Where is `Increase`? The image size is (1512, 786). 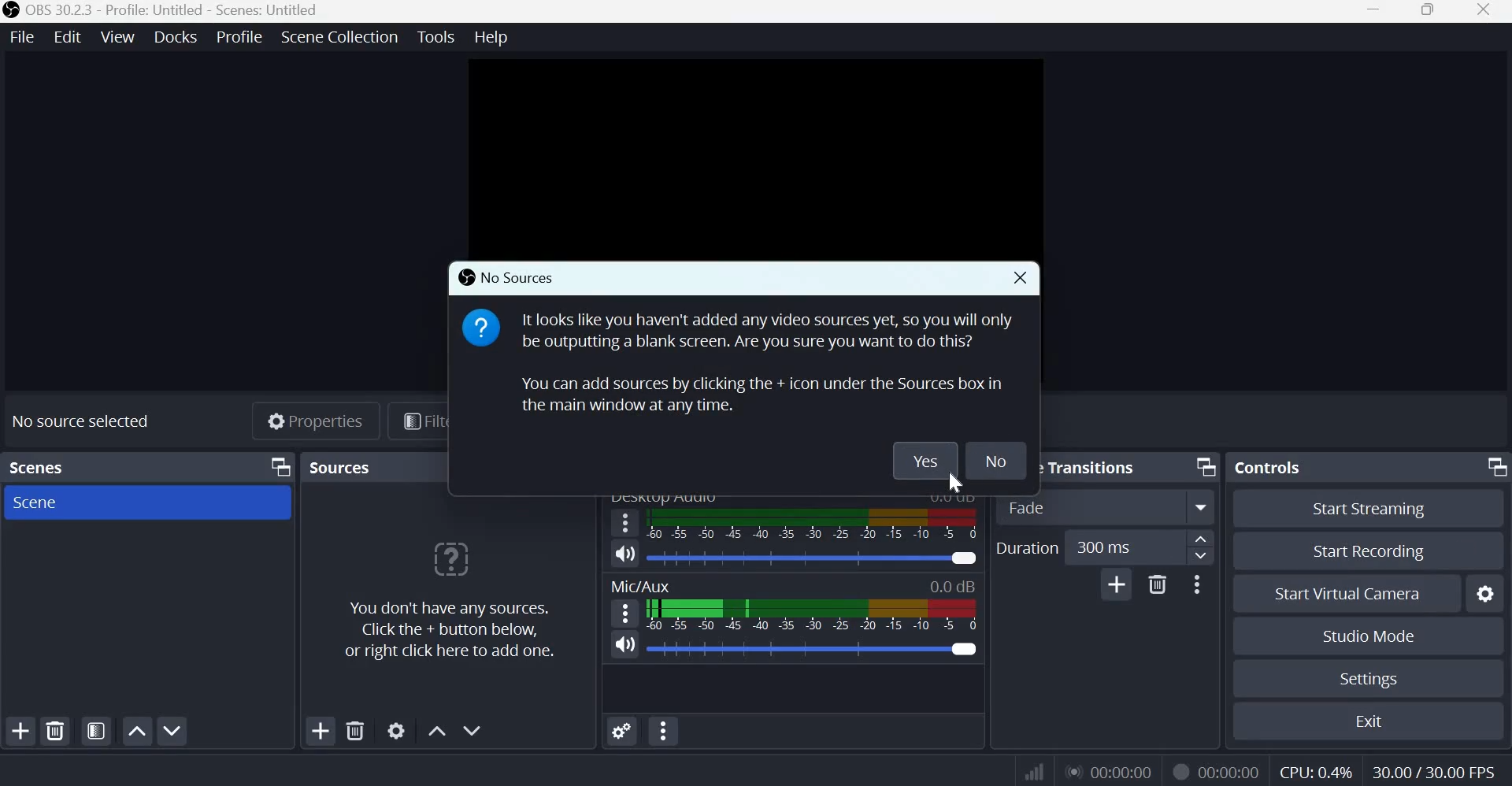 Increase is located at coordinates (1203, 538).